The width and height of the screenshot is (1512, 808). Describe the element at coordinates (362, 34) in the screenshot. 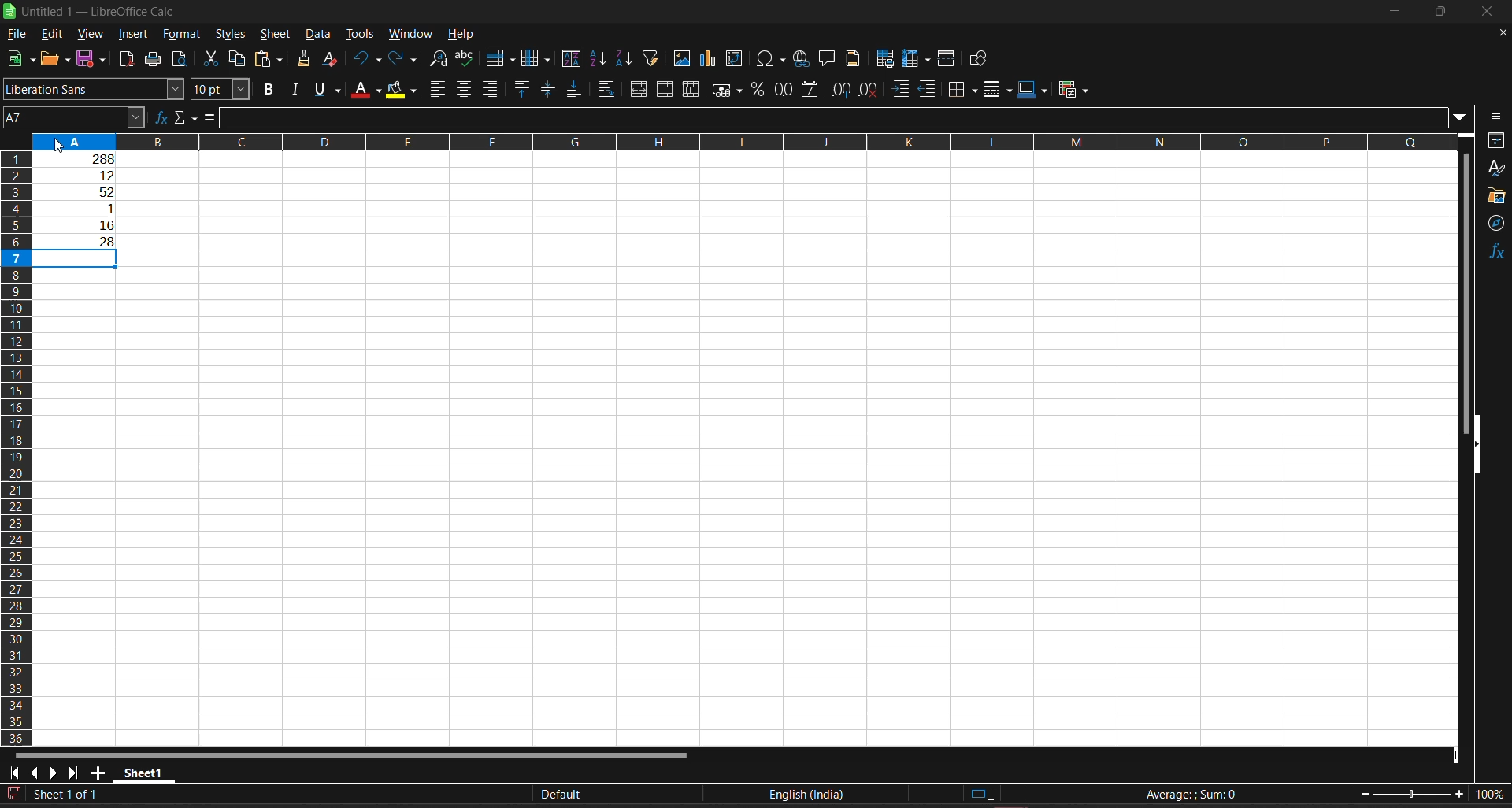

I see `tools` at that location.